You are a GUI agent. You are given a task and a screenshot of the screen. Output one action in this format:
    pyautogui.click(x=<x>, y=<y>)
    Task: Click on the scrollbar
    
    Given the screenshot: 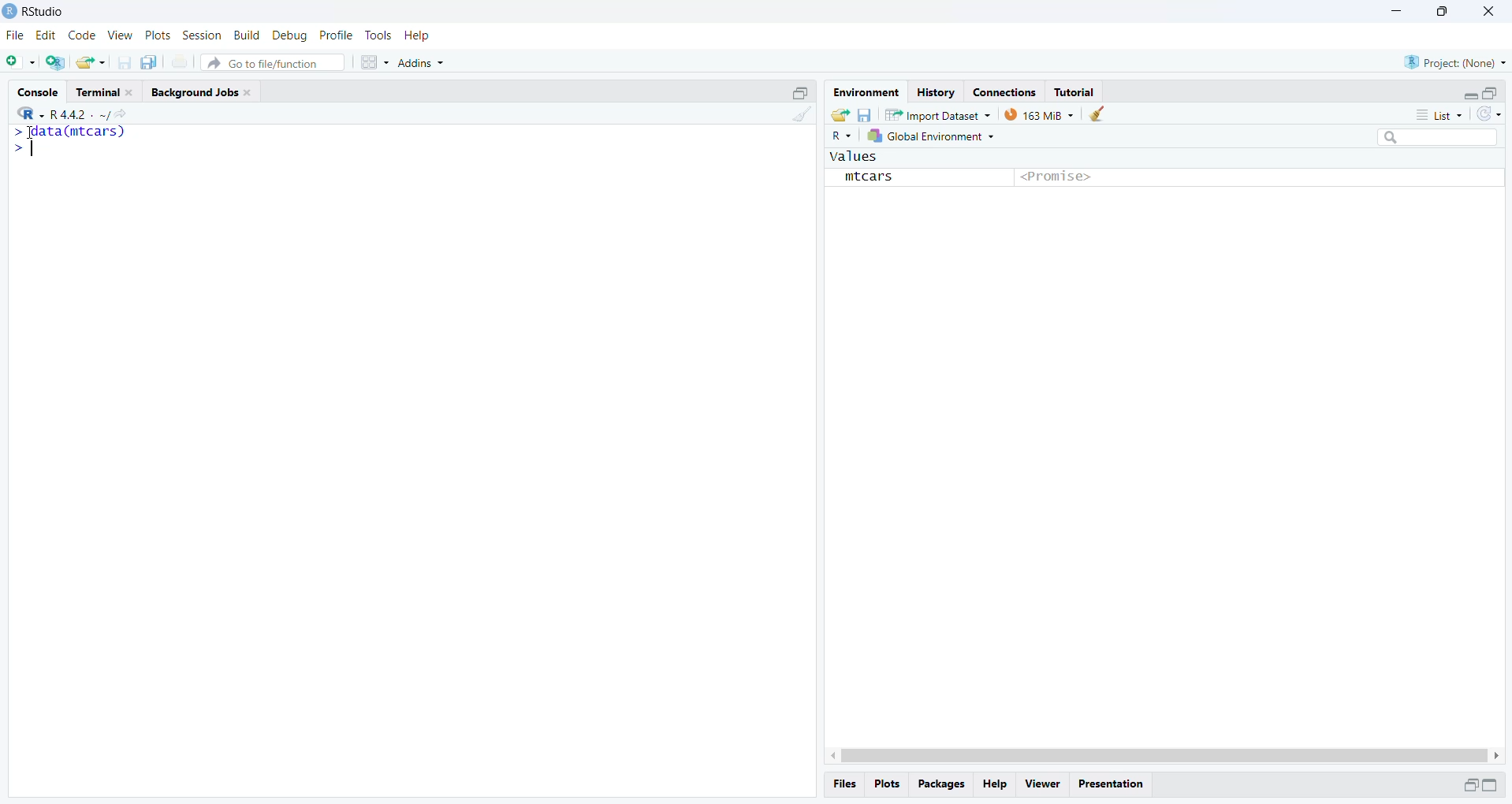 What is the action you would take?
    pyautogui.click(x=1165, y=754)
    